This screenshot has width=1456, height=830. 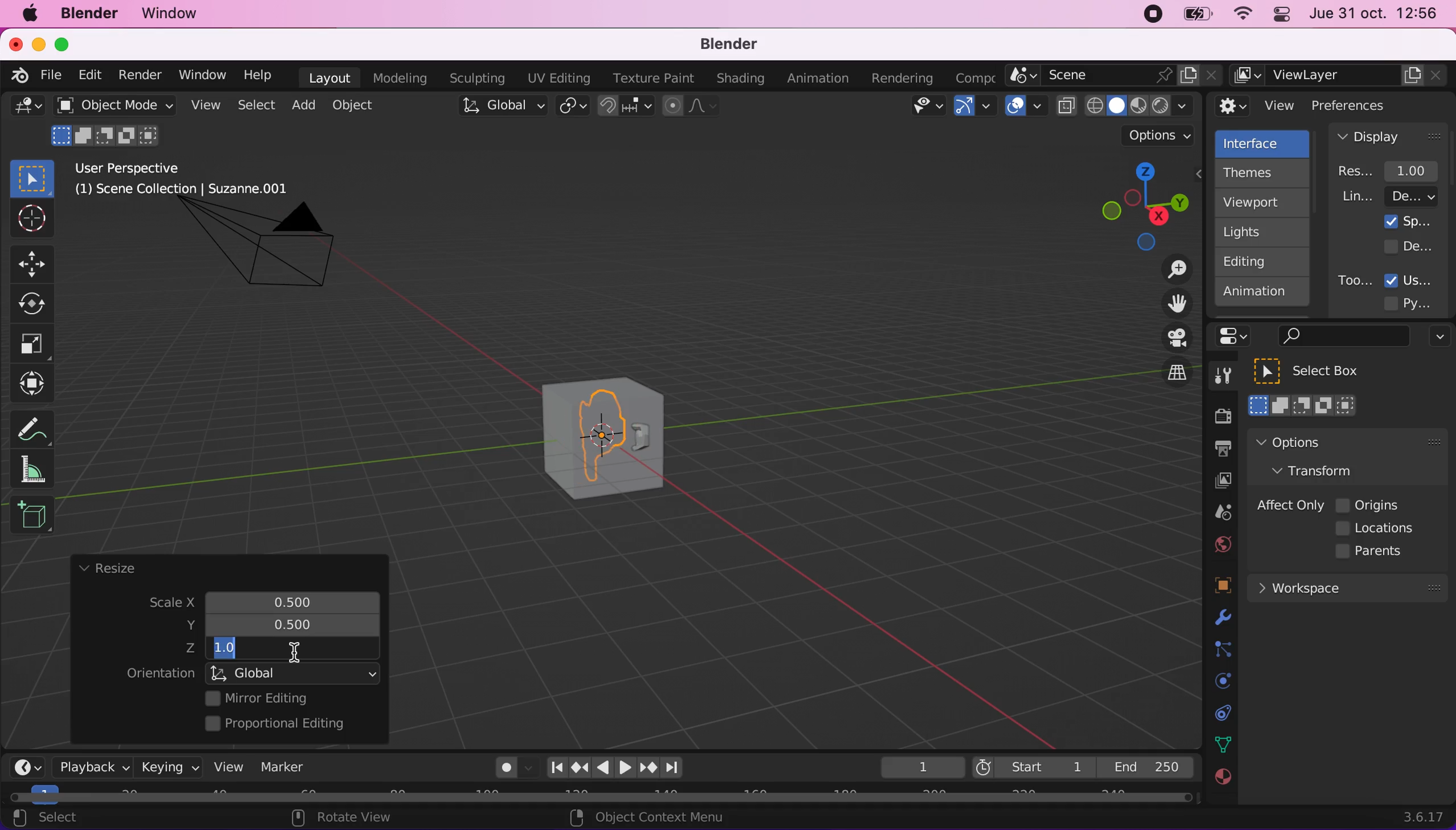 What do you see at coordinates (168, 767) in the screenshot?
I see `keying` at bounding box center [168, 767].